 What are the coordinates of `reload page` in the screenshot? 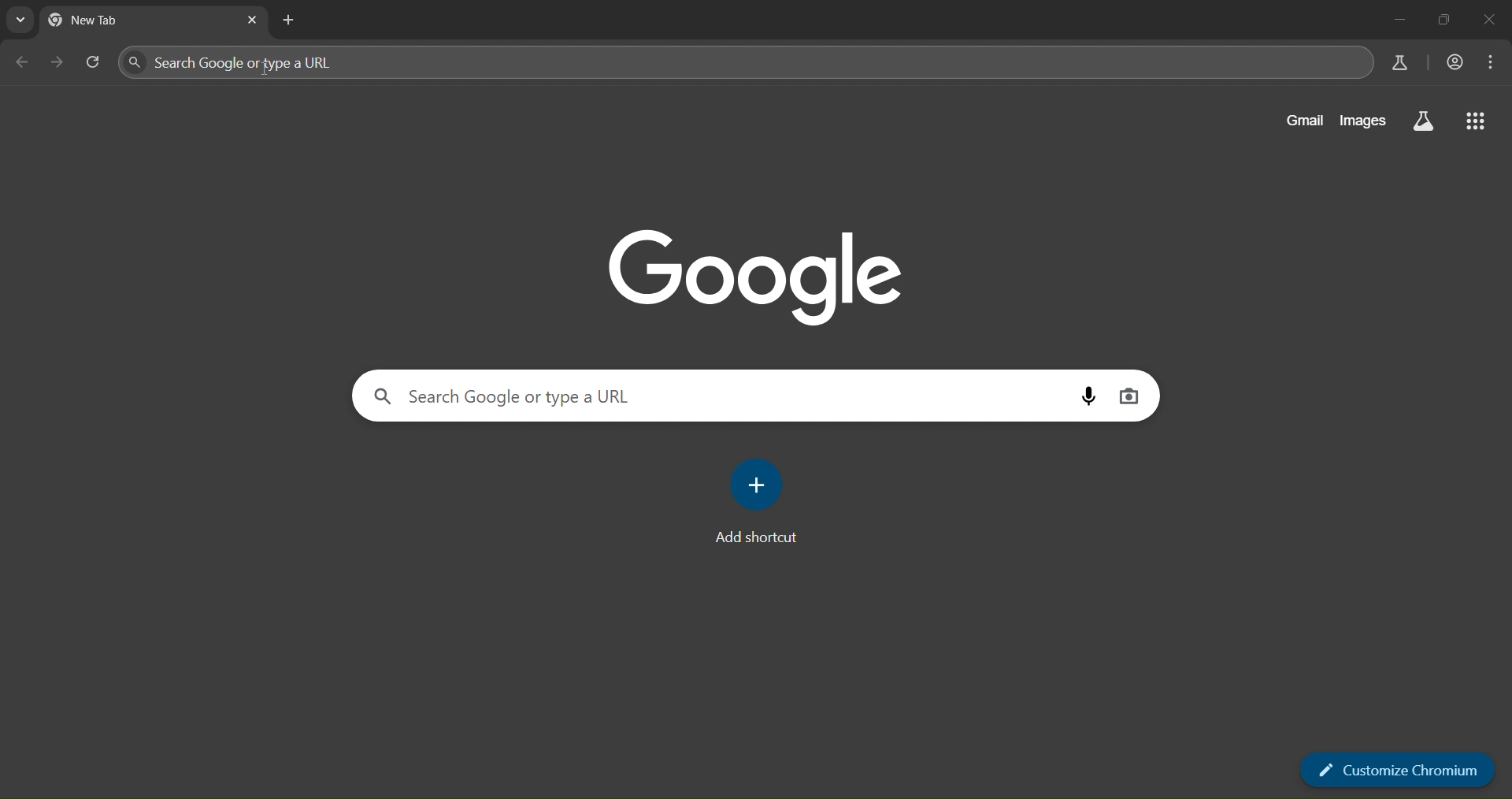 It's located at (93, 60).